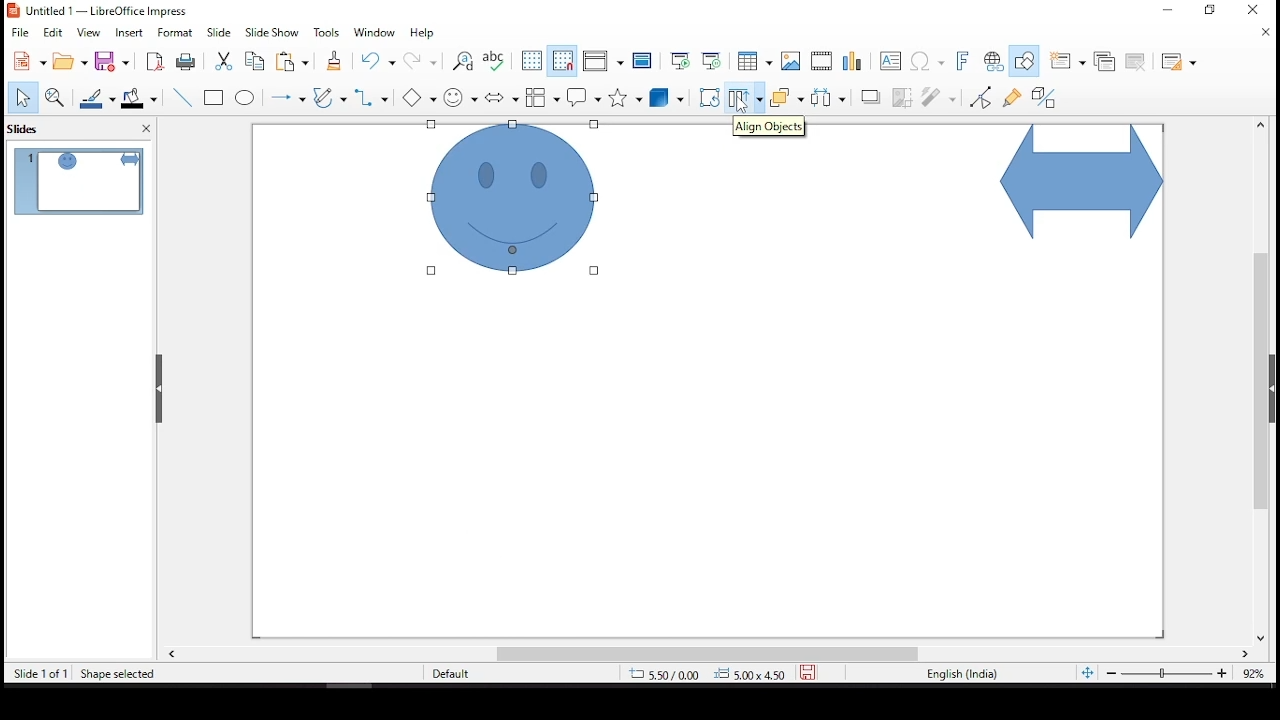 The width and height of the screenshot is (1280, 720). What do you see at coordinates (131, 33) in the screenshot?
I see `insert` at bounding box center [131, 33].